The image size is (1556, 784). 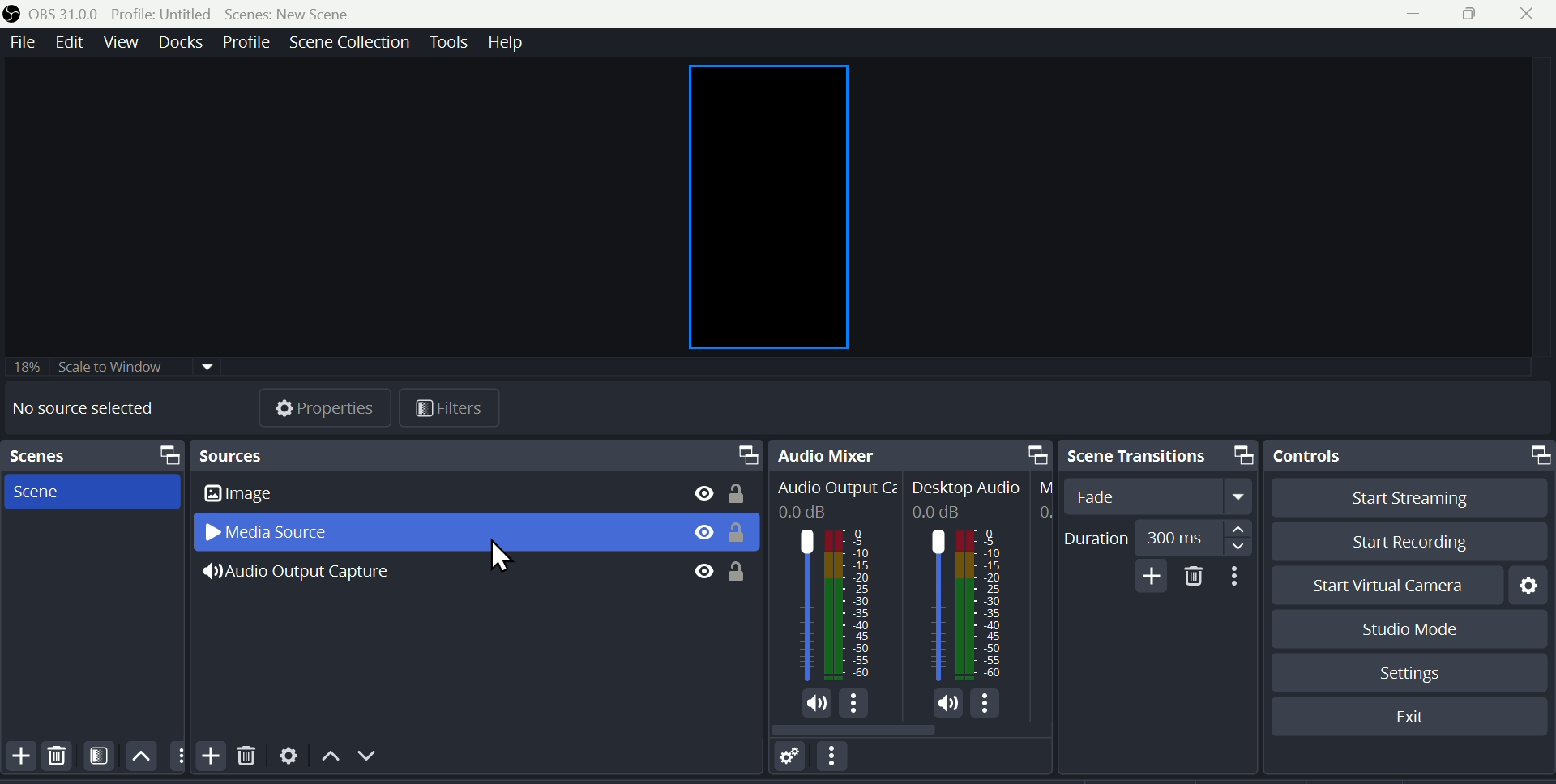 What do you see at coordinates (492, 556) in the screenshot?
I see `Cursor` at bounding box center [492, 556].